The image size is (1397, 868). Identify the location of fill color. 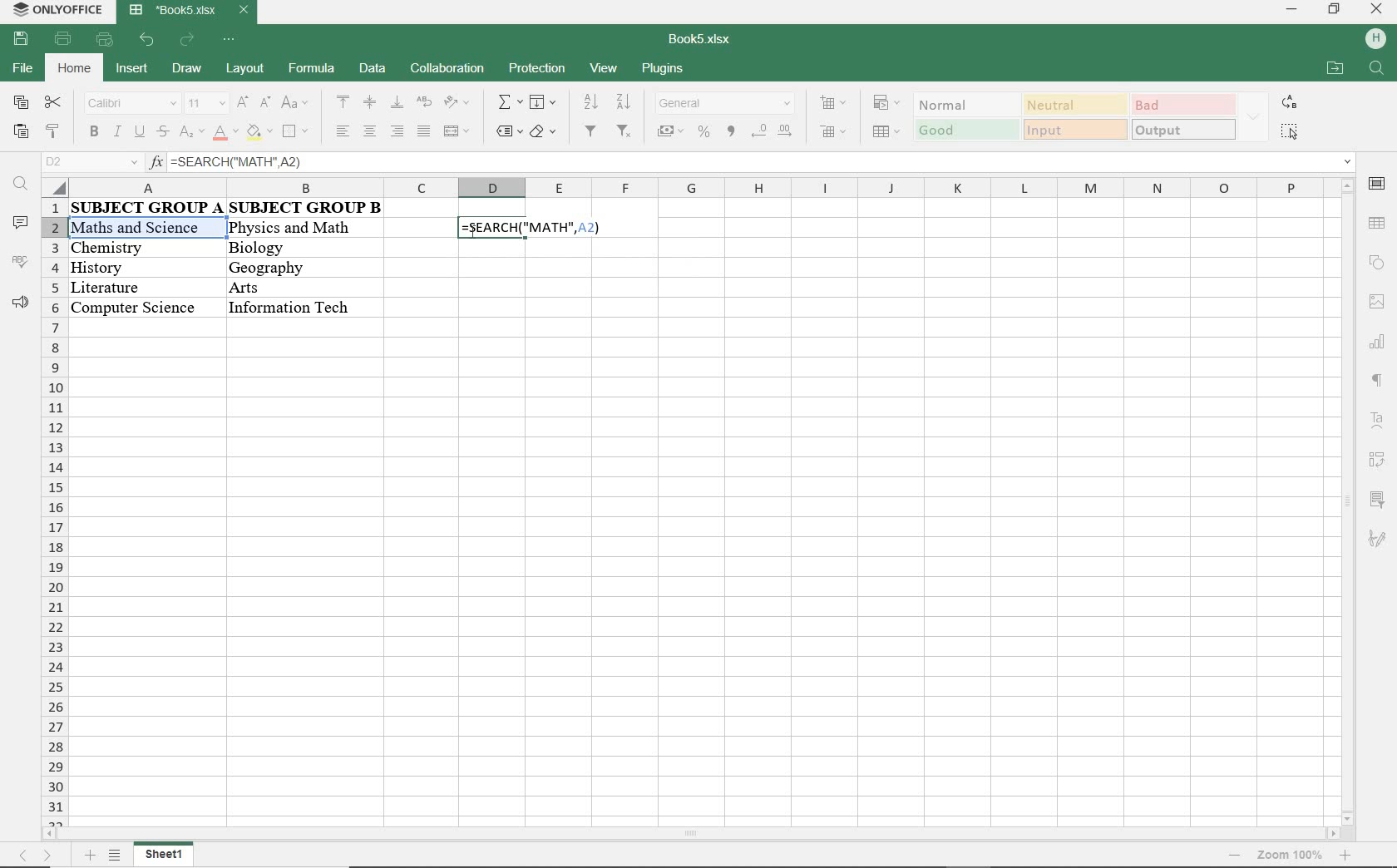
(260, 134).